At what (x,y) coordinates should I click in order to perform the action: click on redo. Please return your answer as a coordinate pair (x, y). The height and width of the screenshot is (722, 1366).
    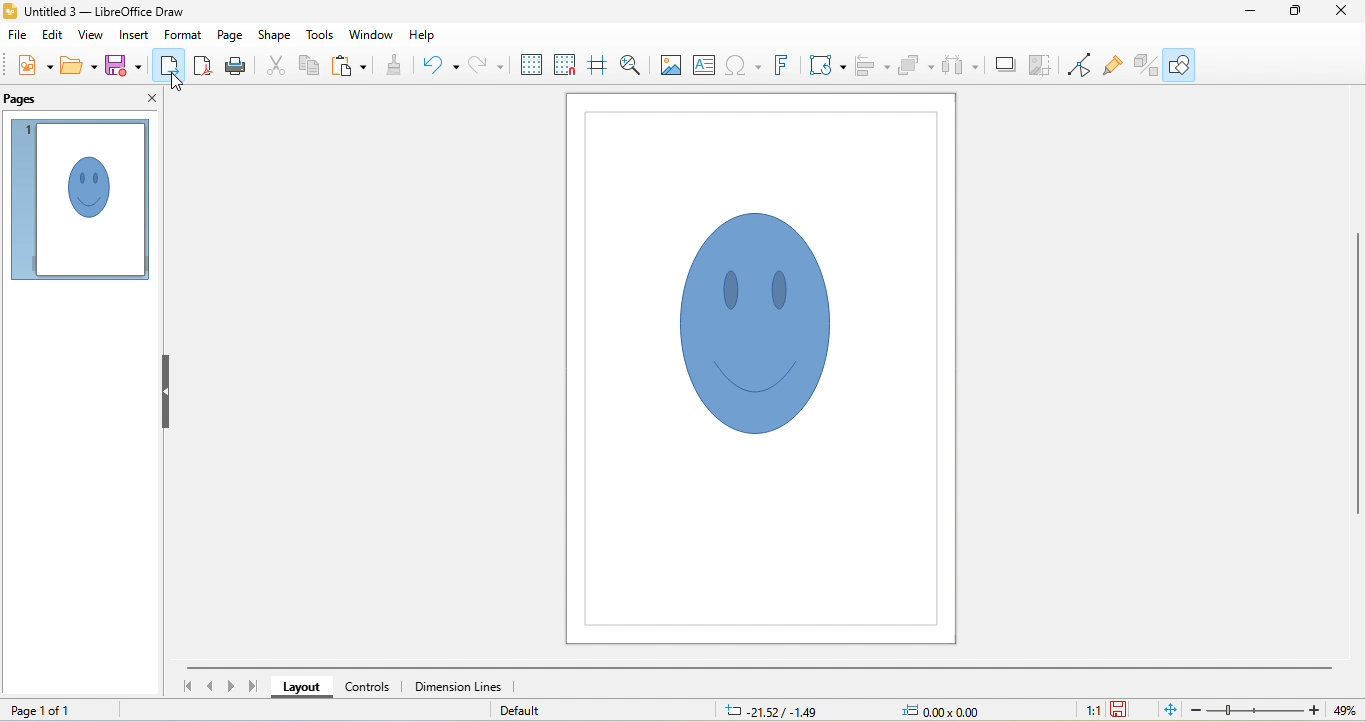
    Looking at the image, I should click on (486, 64).